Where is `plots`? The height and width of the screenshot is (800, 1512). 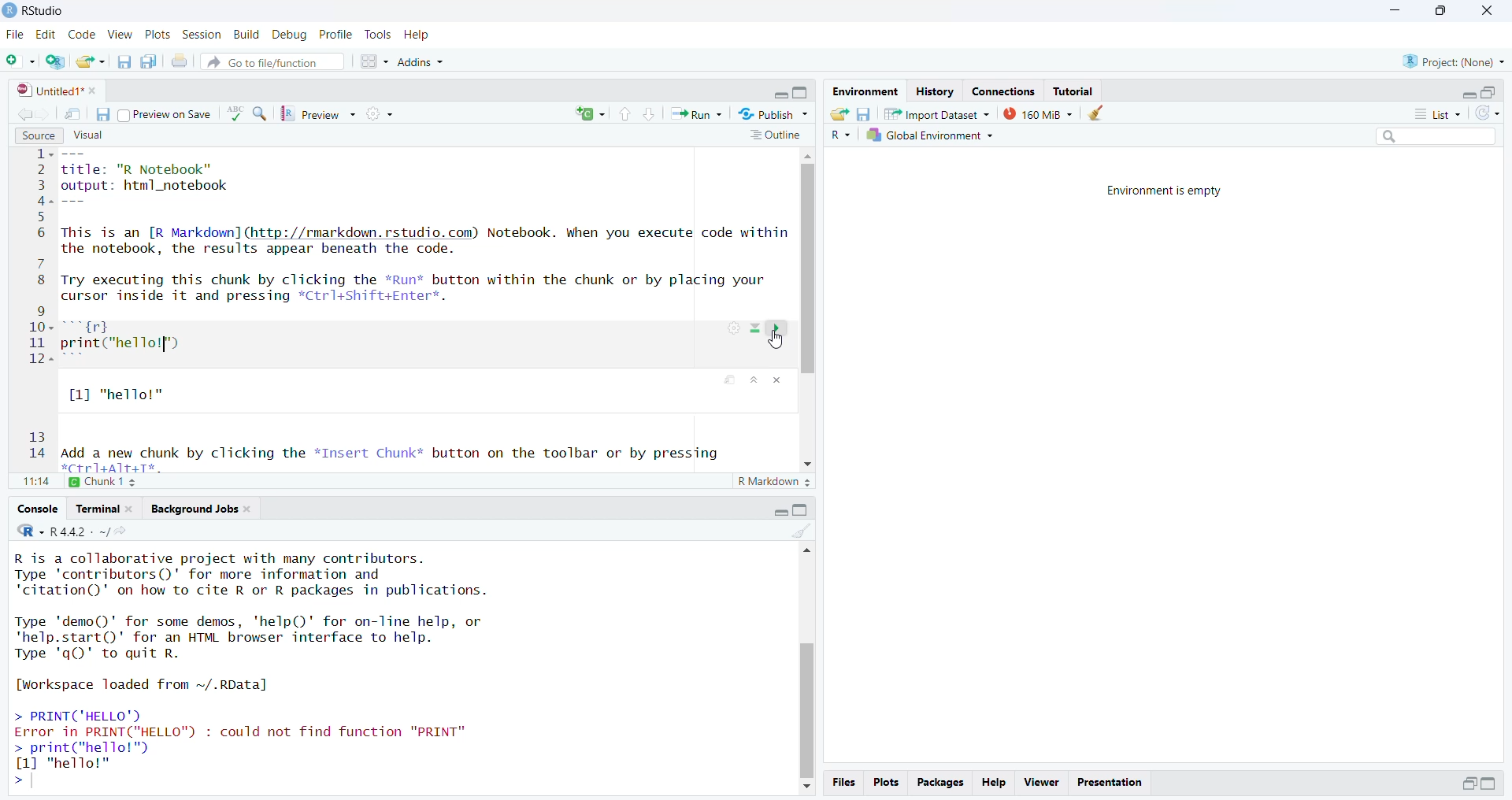
plots is located at coordinates (885, 783).